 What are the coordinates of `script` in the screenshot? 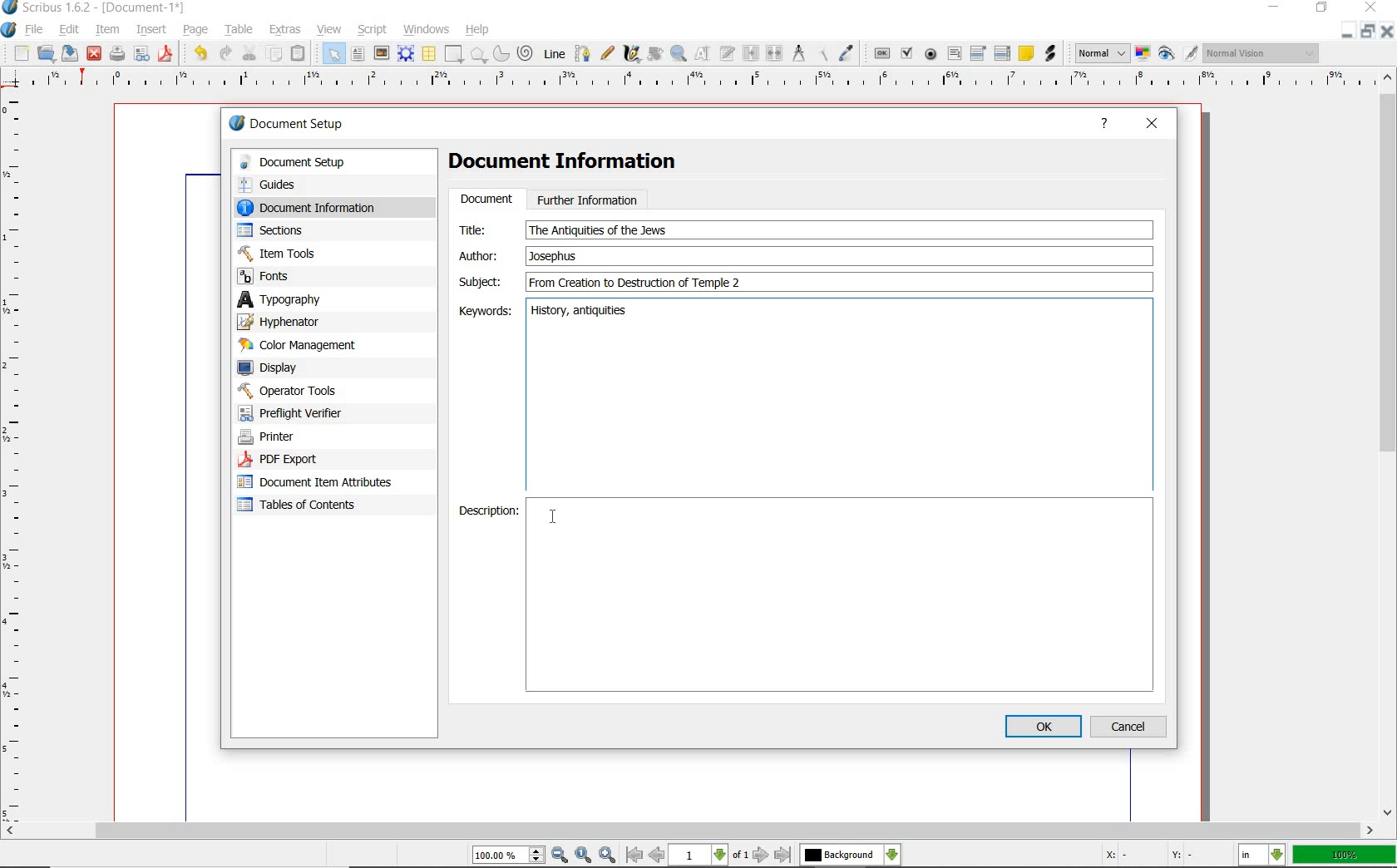 It's located at (373, 30).